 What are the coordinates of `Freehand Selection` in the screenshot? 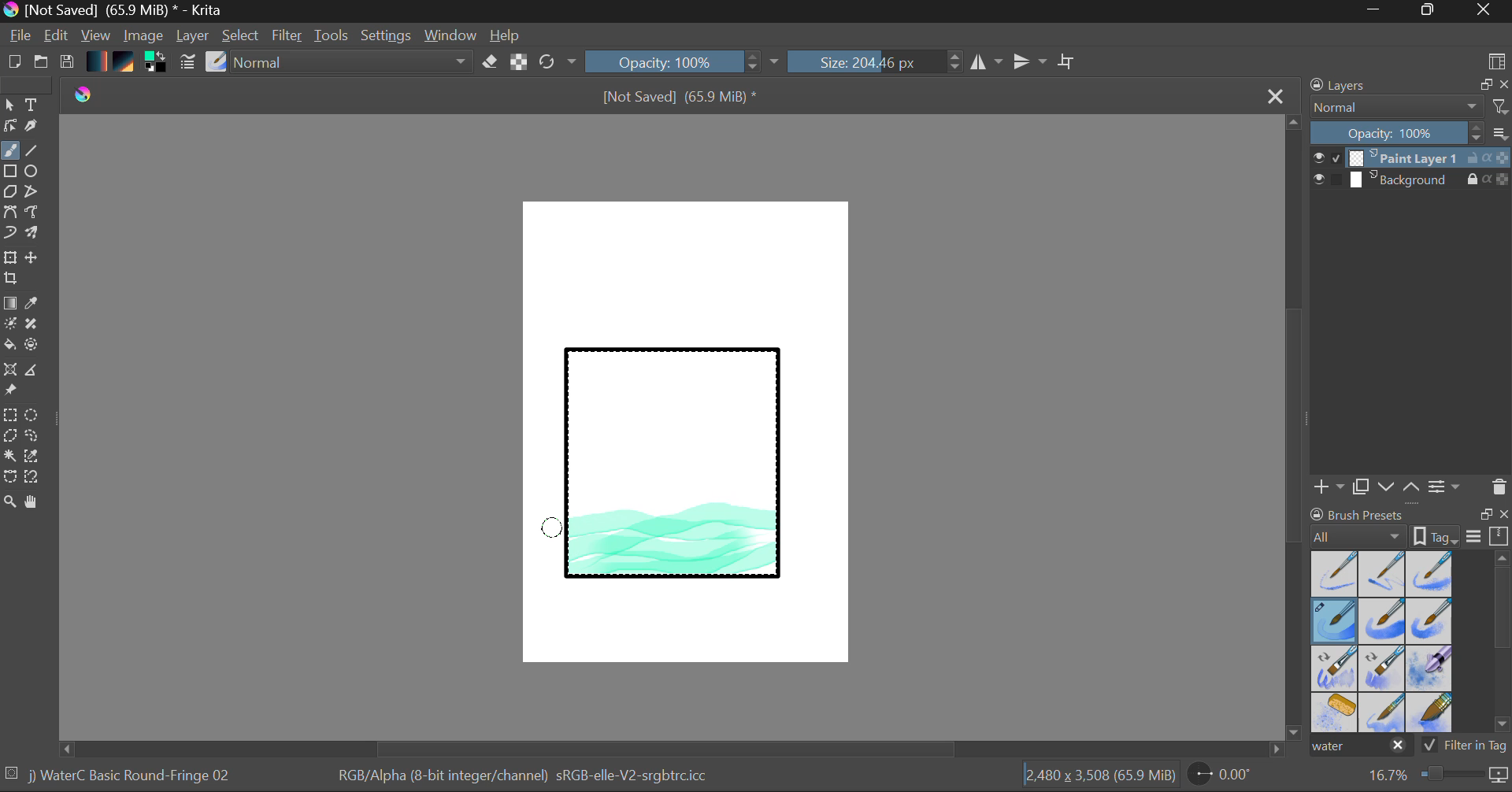 It's located at (32, 438).